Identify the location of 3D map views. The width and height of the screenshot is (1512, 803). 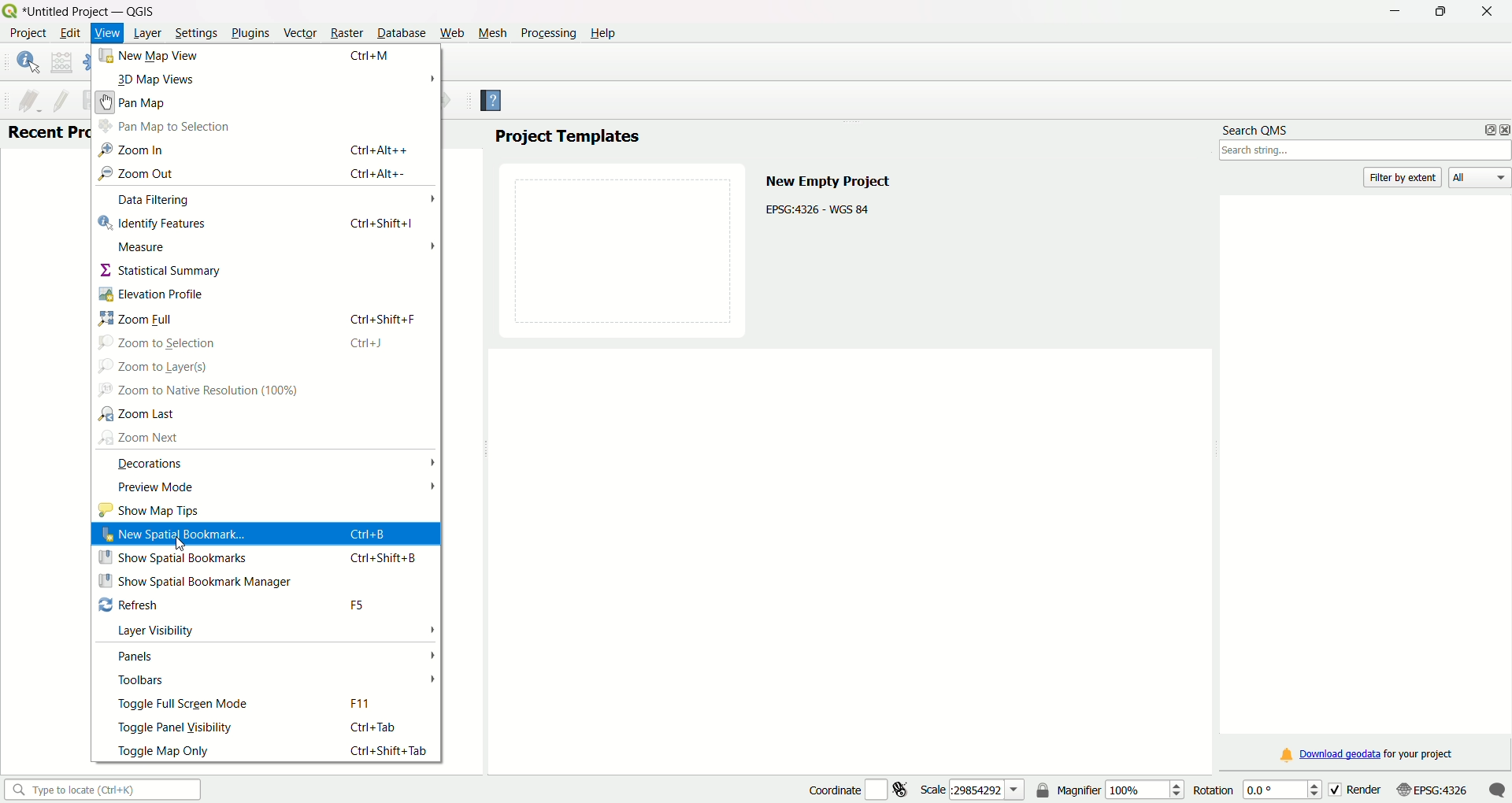
(155, 79).